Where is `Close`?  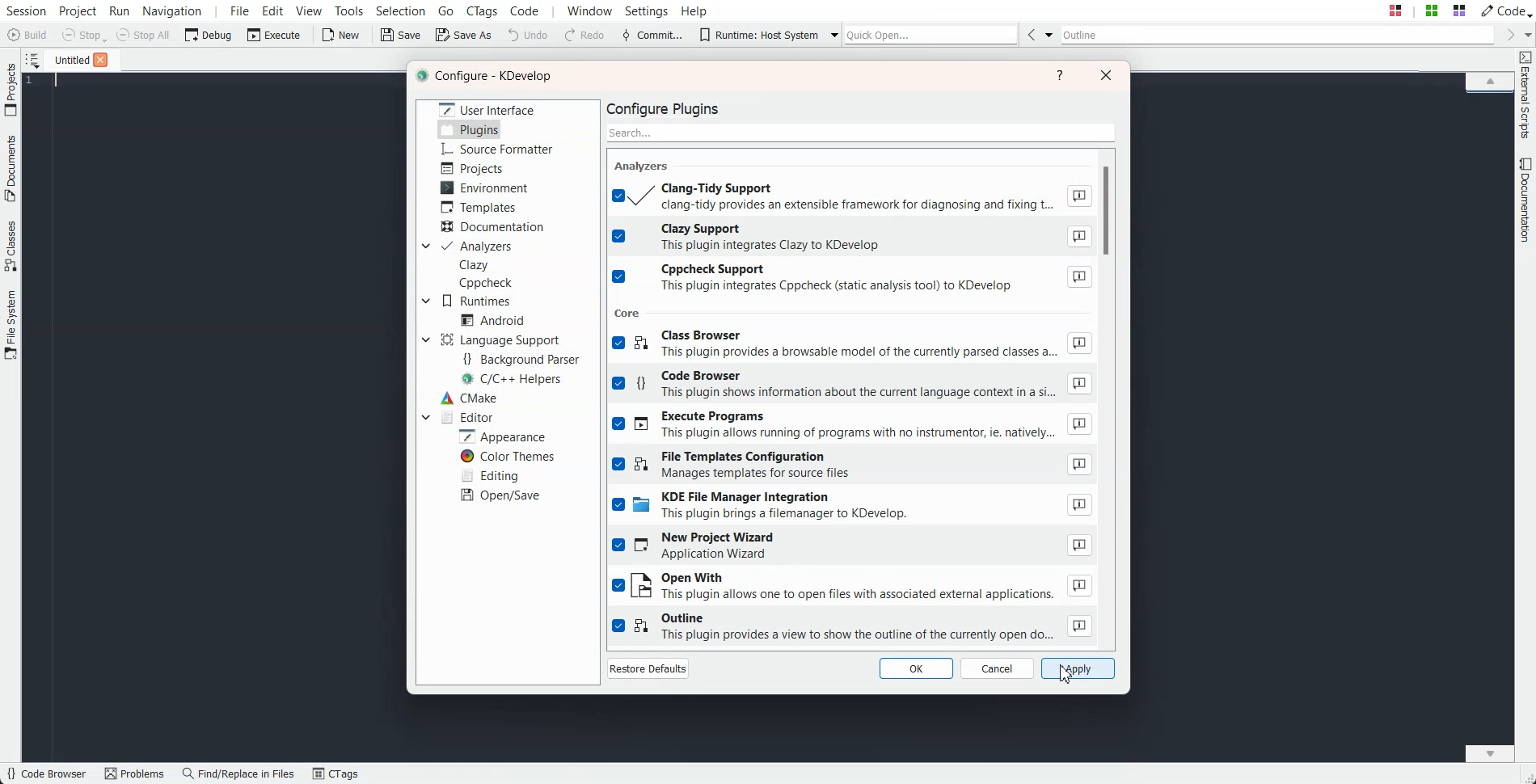
Close is located at coordinates (100, 60).